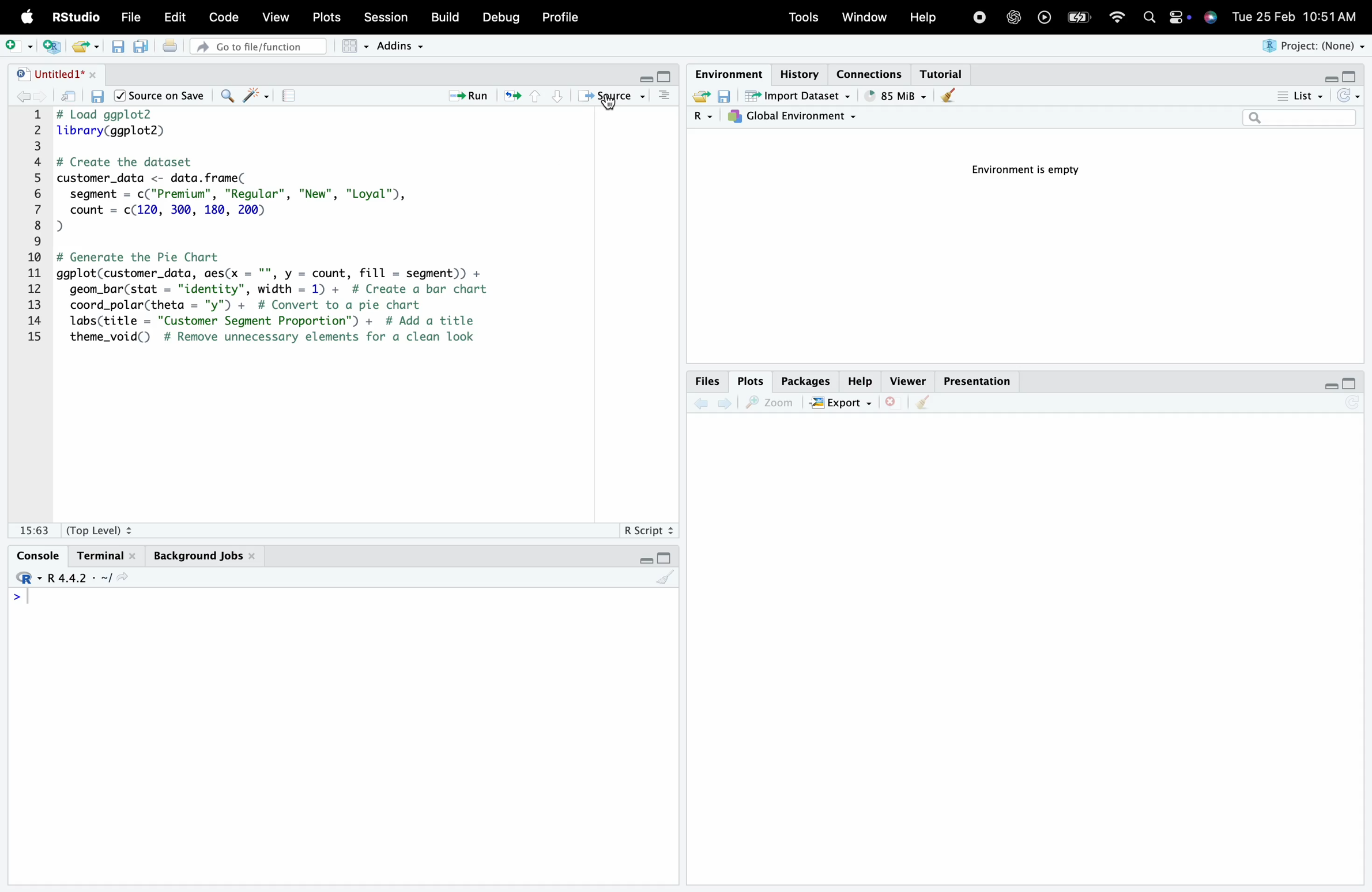 Image resolution: width=1372 pixels, height=892 pixels. I want to click on Viewer, so click(907, 379).